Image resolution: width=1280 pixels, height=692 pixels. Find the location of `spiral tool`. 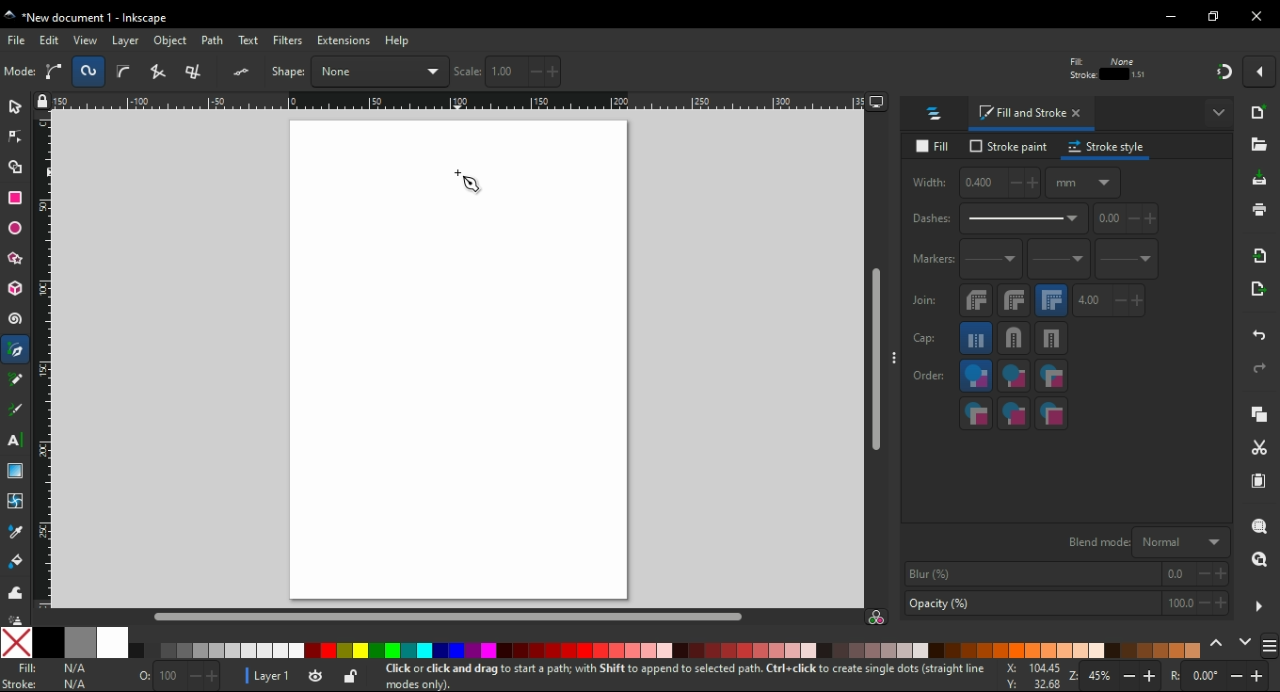

spiral tool is located at coordinates (17, 319).